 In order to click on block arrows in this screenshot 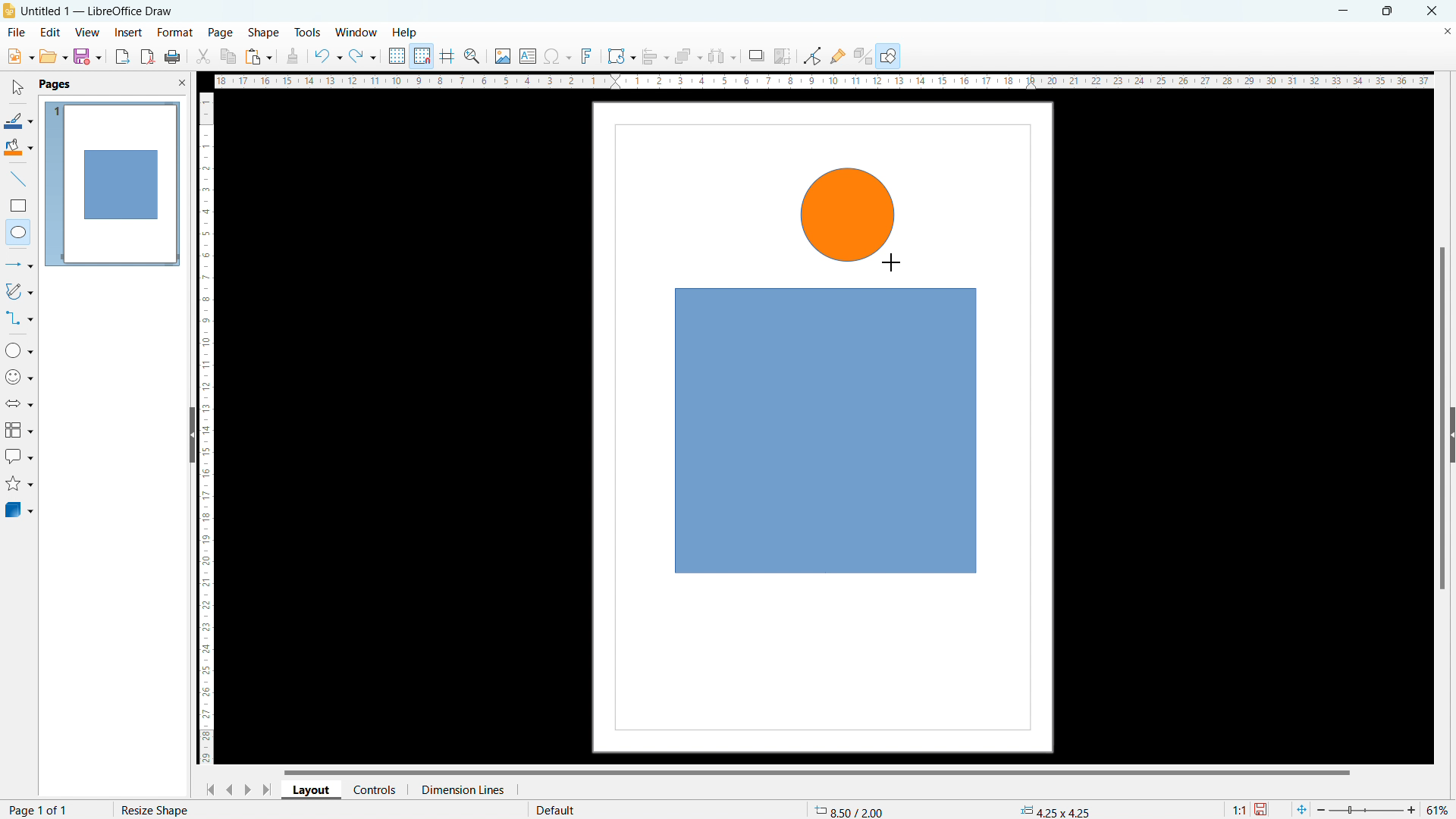, I will do `click(20, 403)`.